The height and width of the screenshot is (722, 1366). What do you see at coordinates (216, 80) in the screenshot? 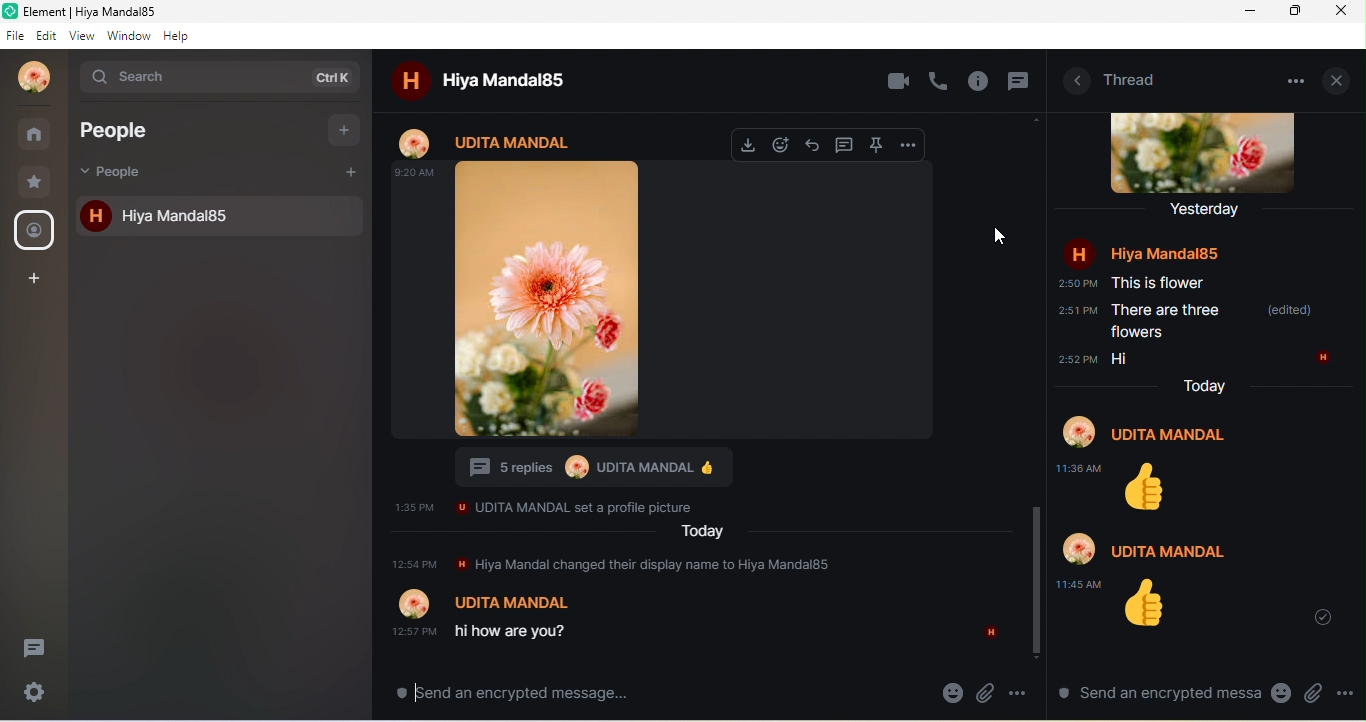
I see `search` at bounding box center [216, 80].